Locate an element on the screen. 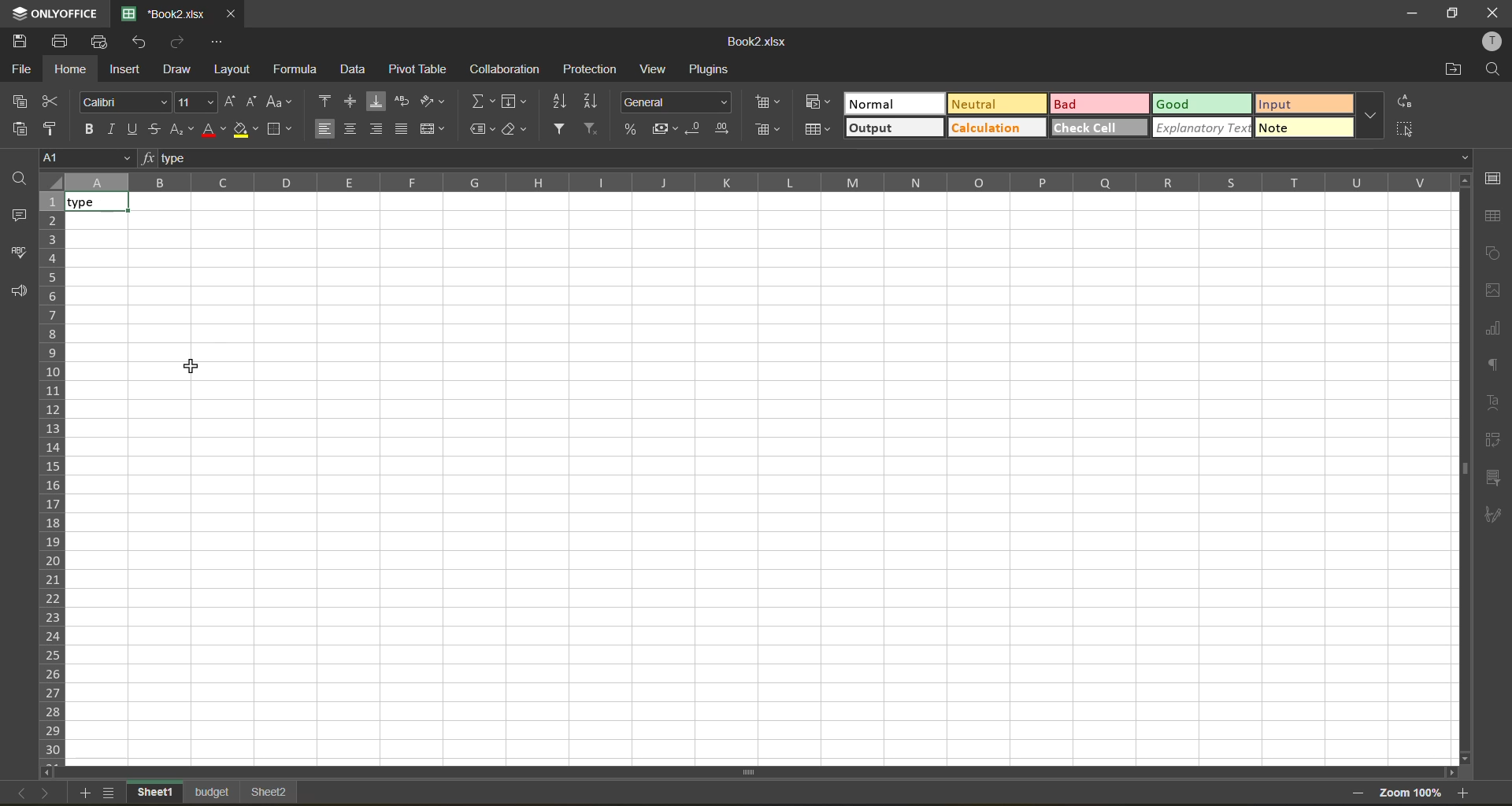  conditional formatting is located at coordinates (820, 103).